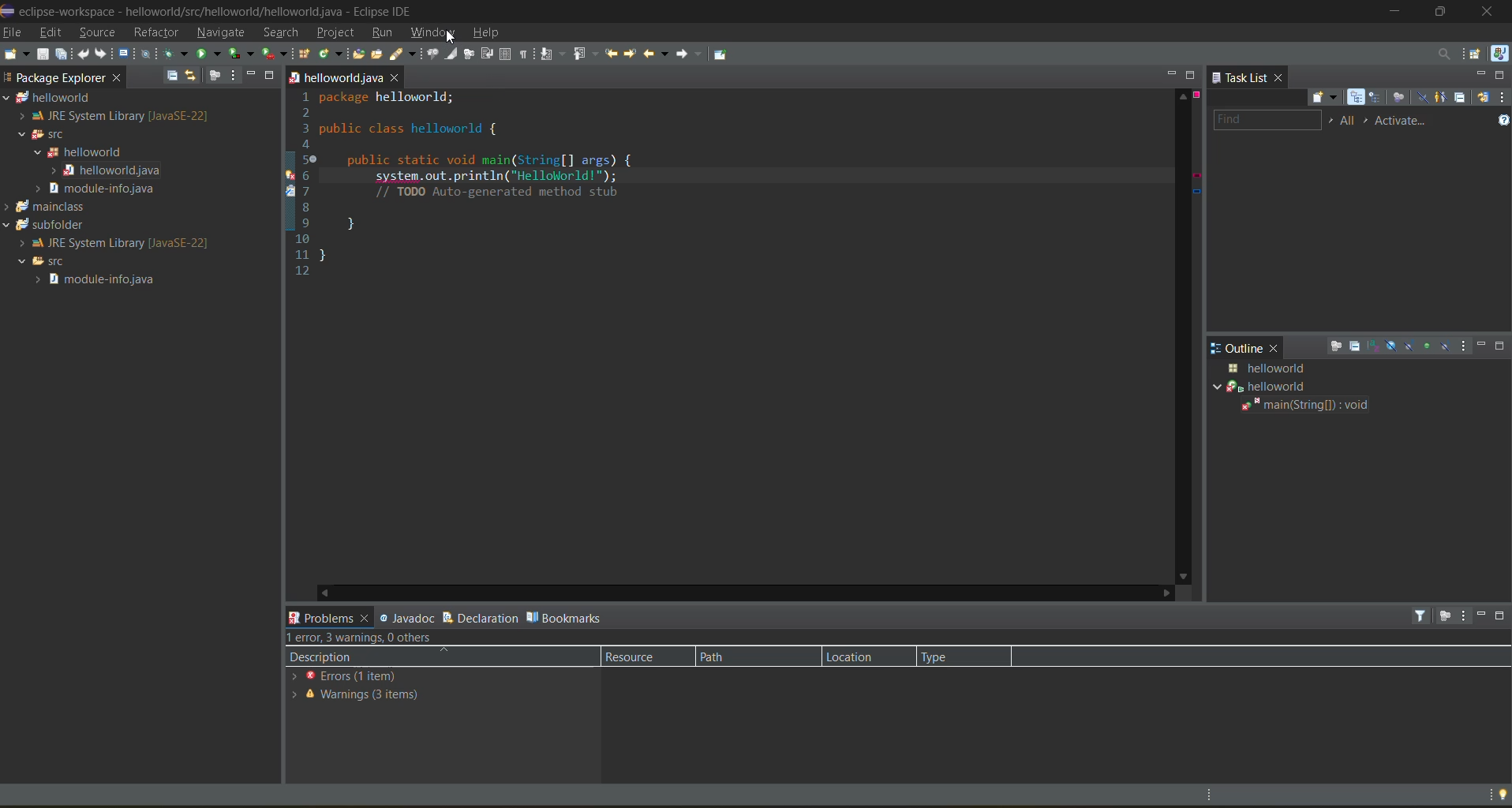 Image resolution: width=1512 pixels, height=808 pixels. Describe the element at coordinates (505, 54) in the screenshot. I see `toggle  block selection mode` at that location.